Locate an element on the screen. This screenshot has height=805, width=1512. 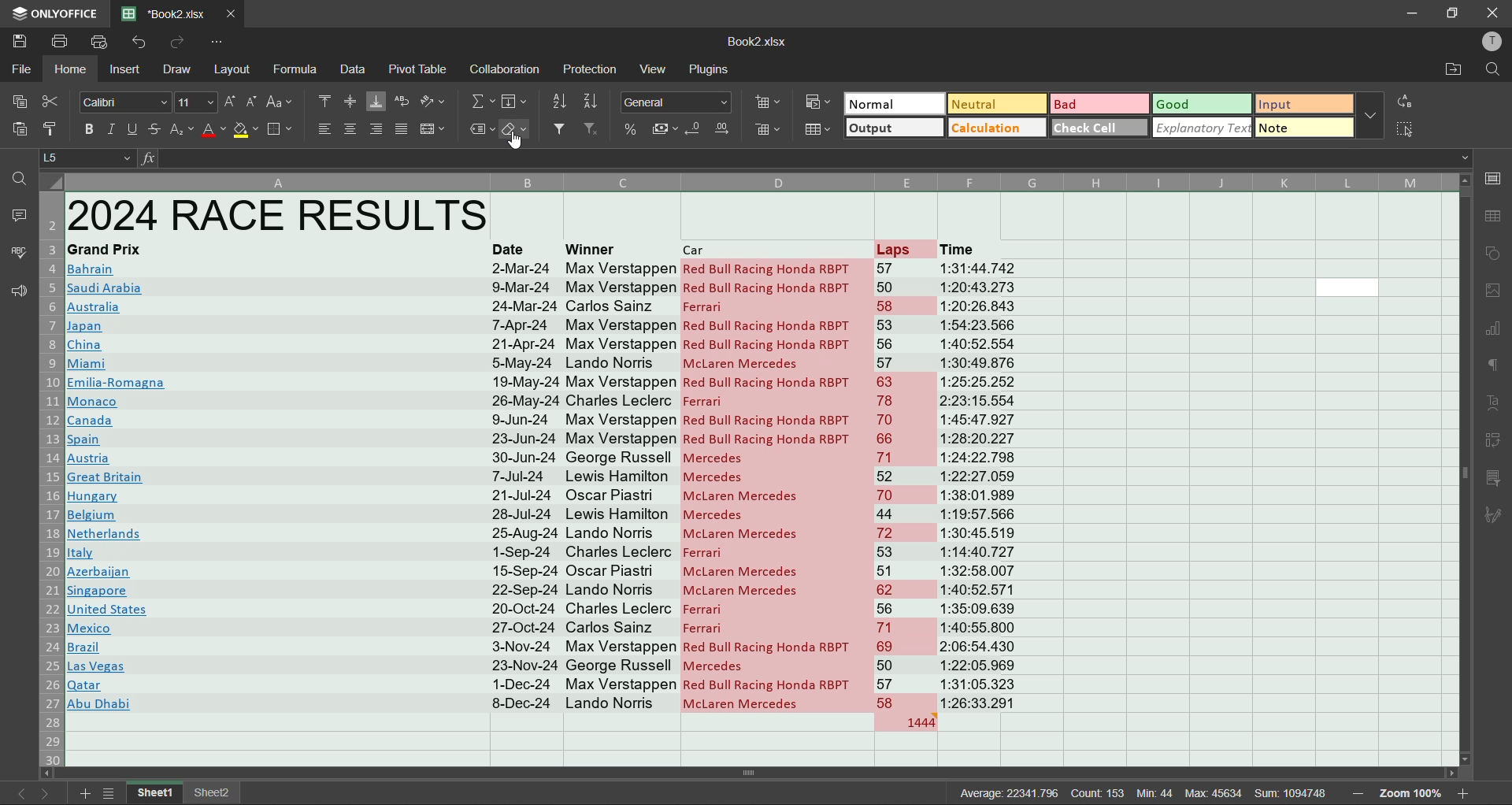
filename is located at coordinates (756, 42).